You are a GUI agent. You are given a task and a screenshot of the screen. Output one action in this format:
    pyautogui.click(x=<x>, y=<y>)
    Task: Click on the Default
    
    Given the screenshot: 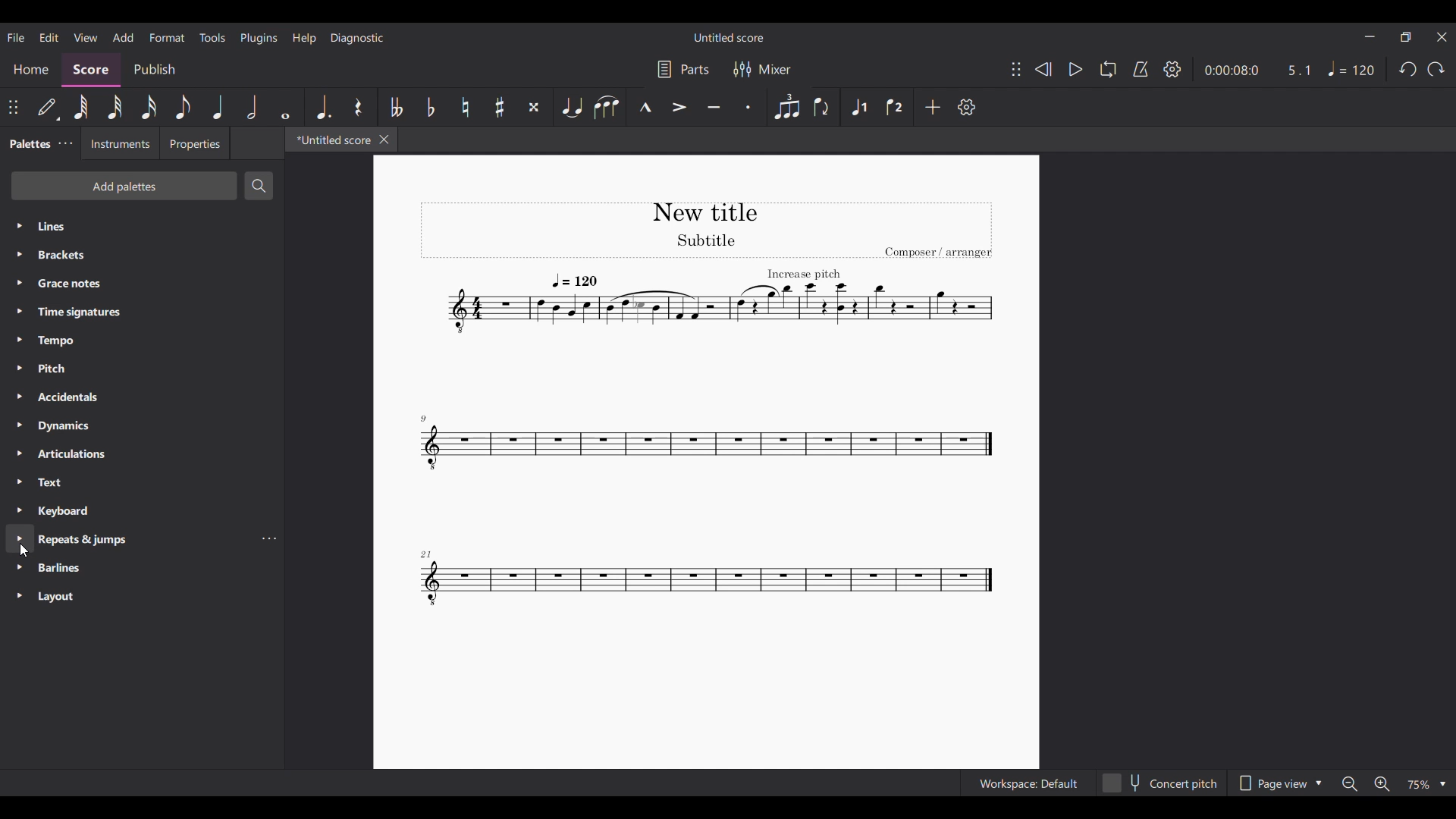 What is the action you would take?
    pyautogui.click(x=49, y=107)
    